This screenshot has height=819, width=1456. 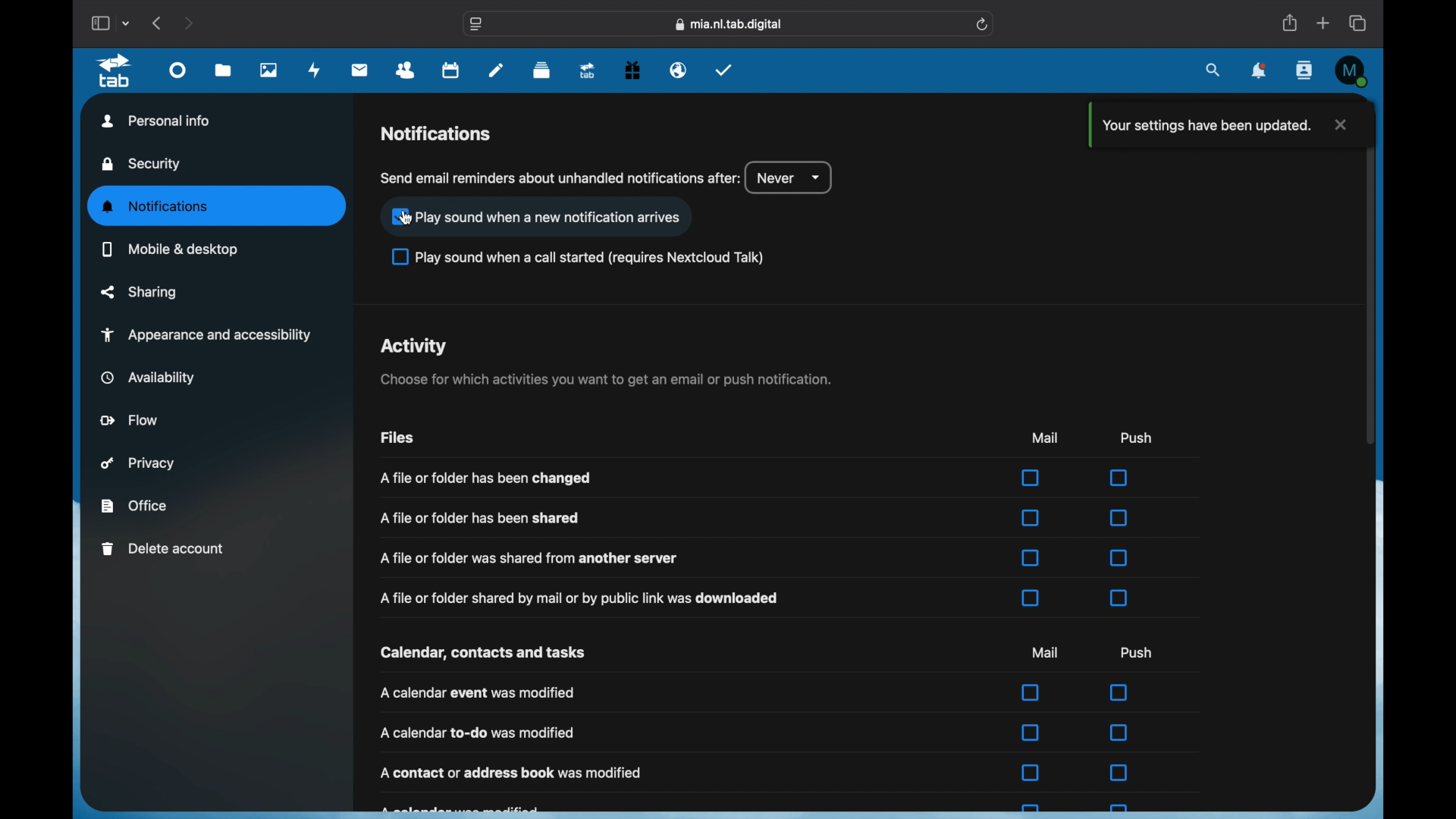 I want to click on checkbox, so click(x=1031, y=558).